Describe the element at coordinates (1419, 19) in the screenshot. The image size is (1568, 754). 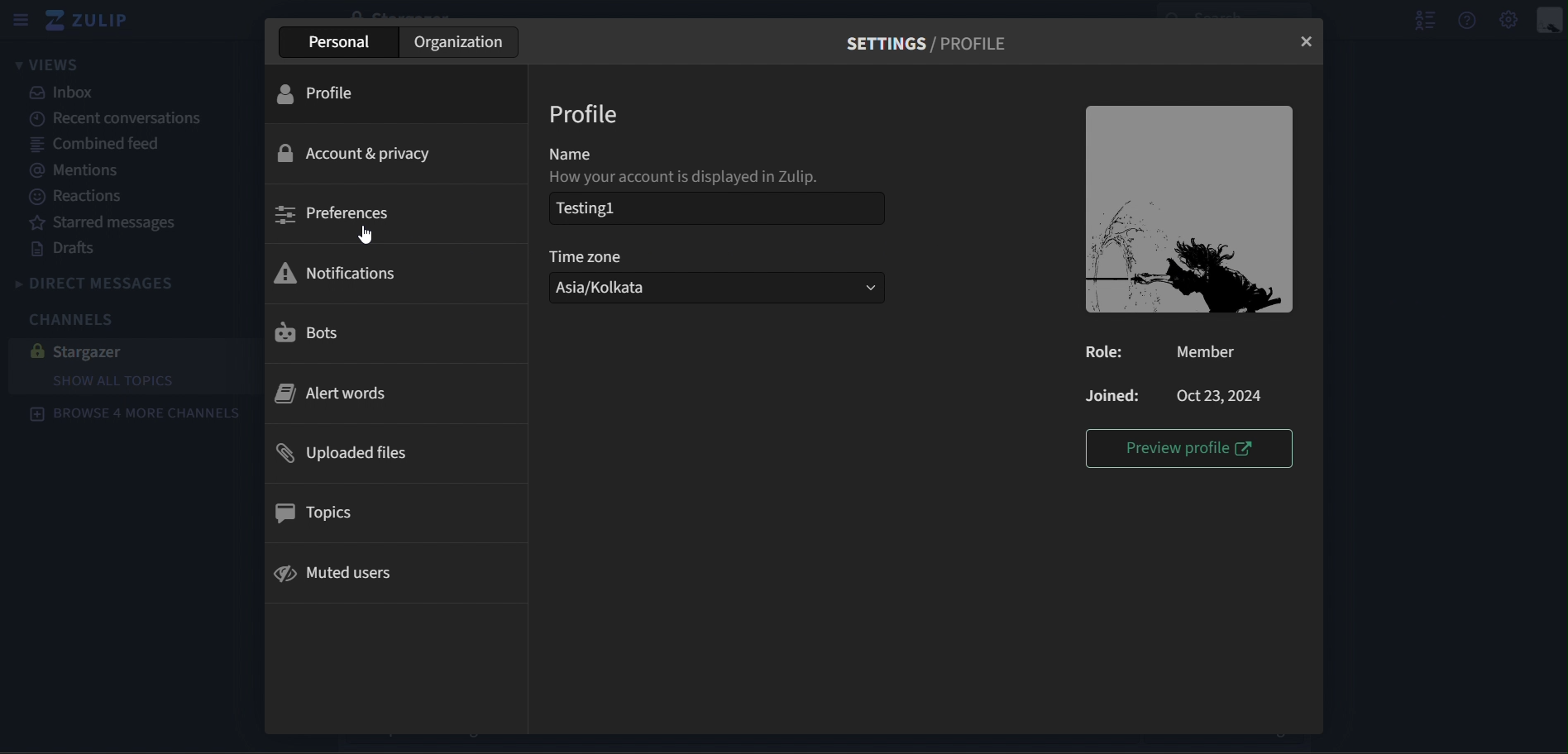
I see `hide user list` at that location.